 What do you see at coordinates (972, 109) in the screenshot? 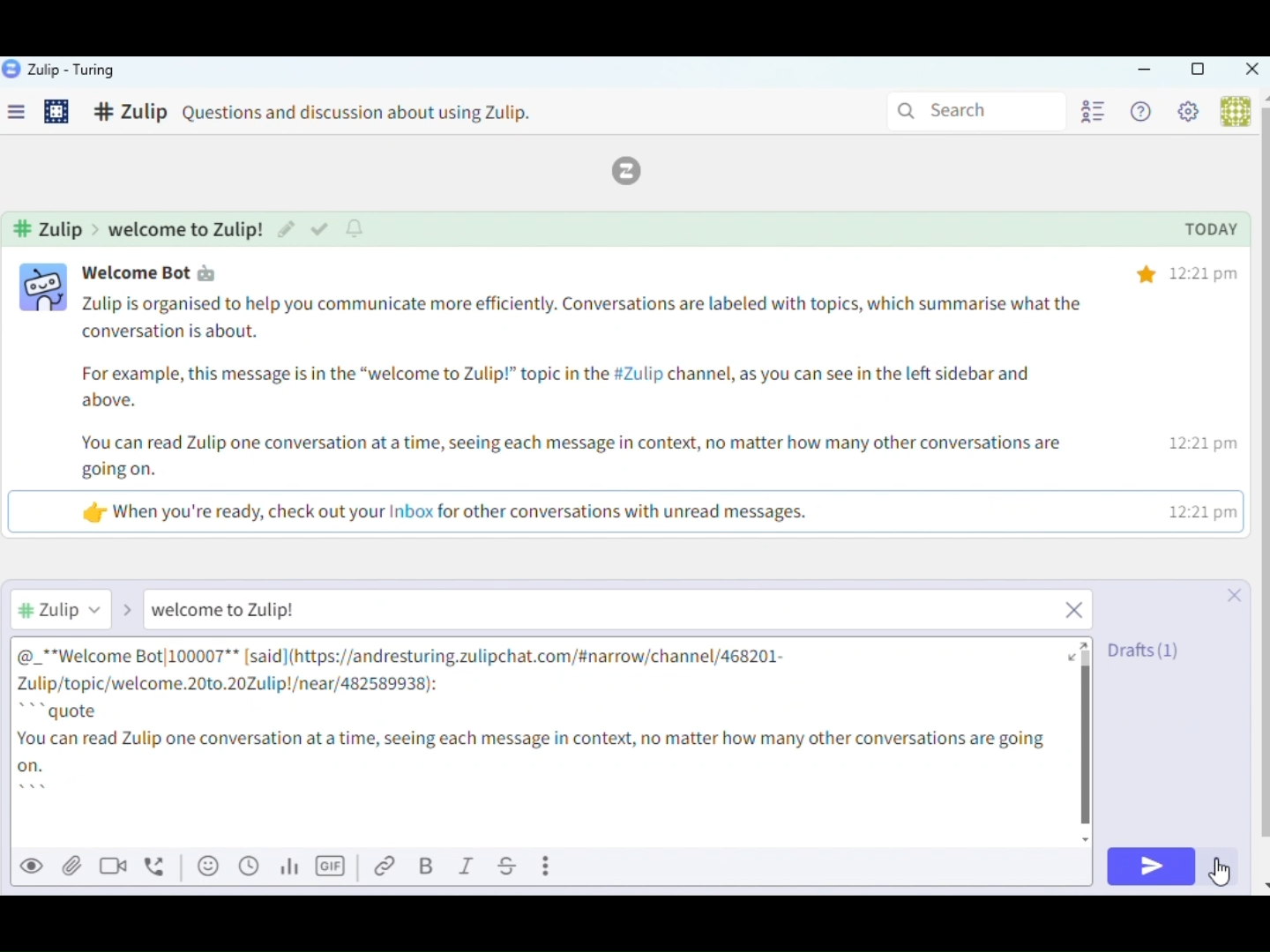
I see `Search` at bounding box center [972, 109].